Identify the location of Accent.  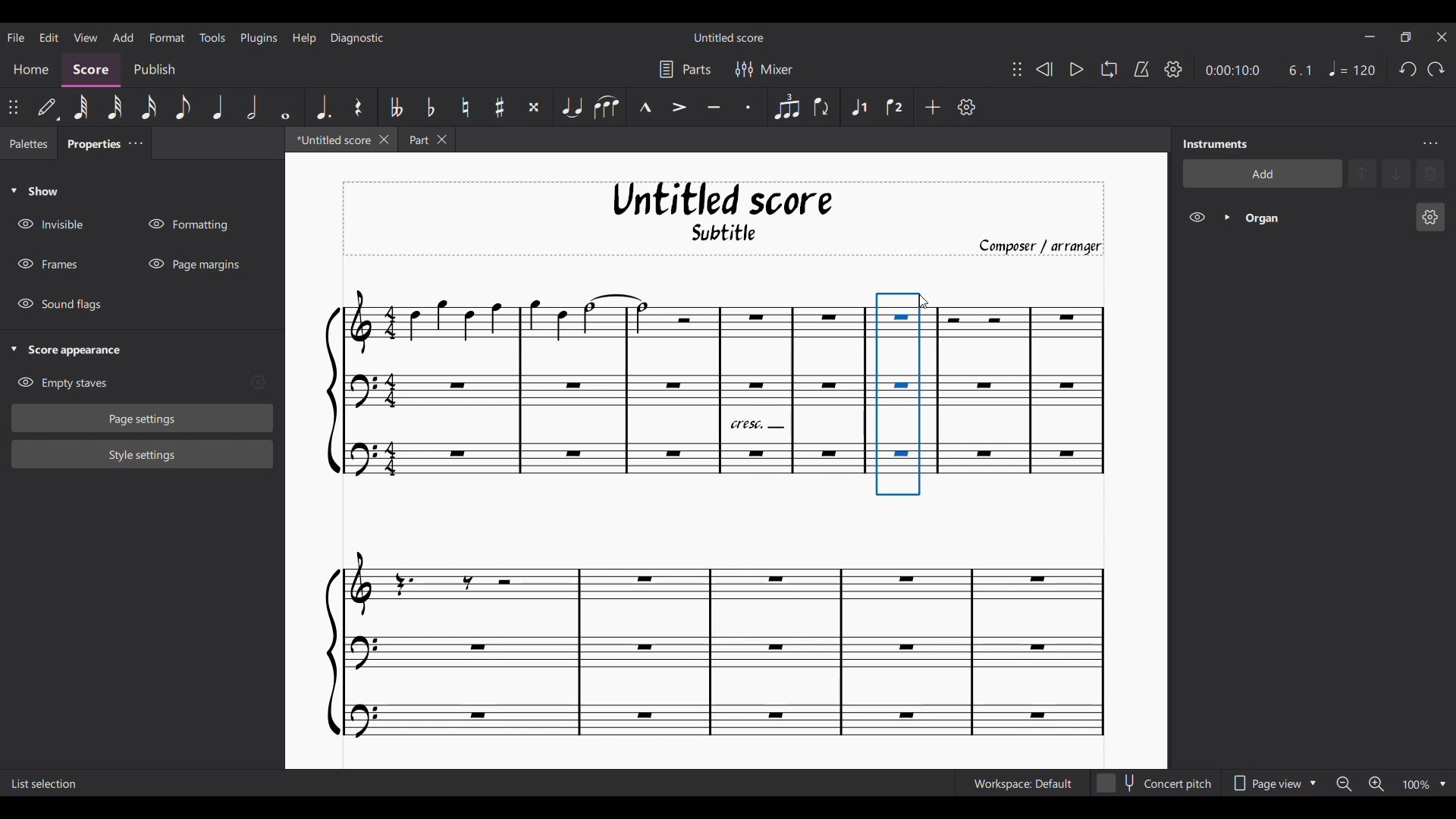
(679, 107).